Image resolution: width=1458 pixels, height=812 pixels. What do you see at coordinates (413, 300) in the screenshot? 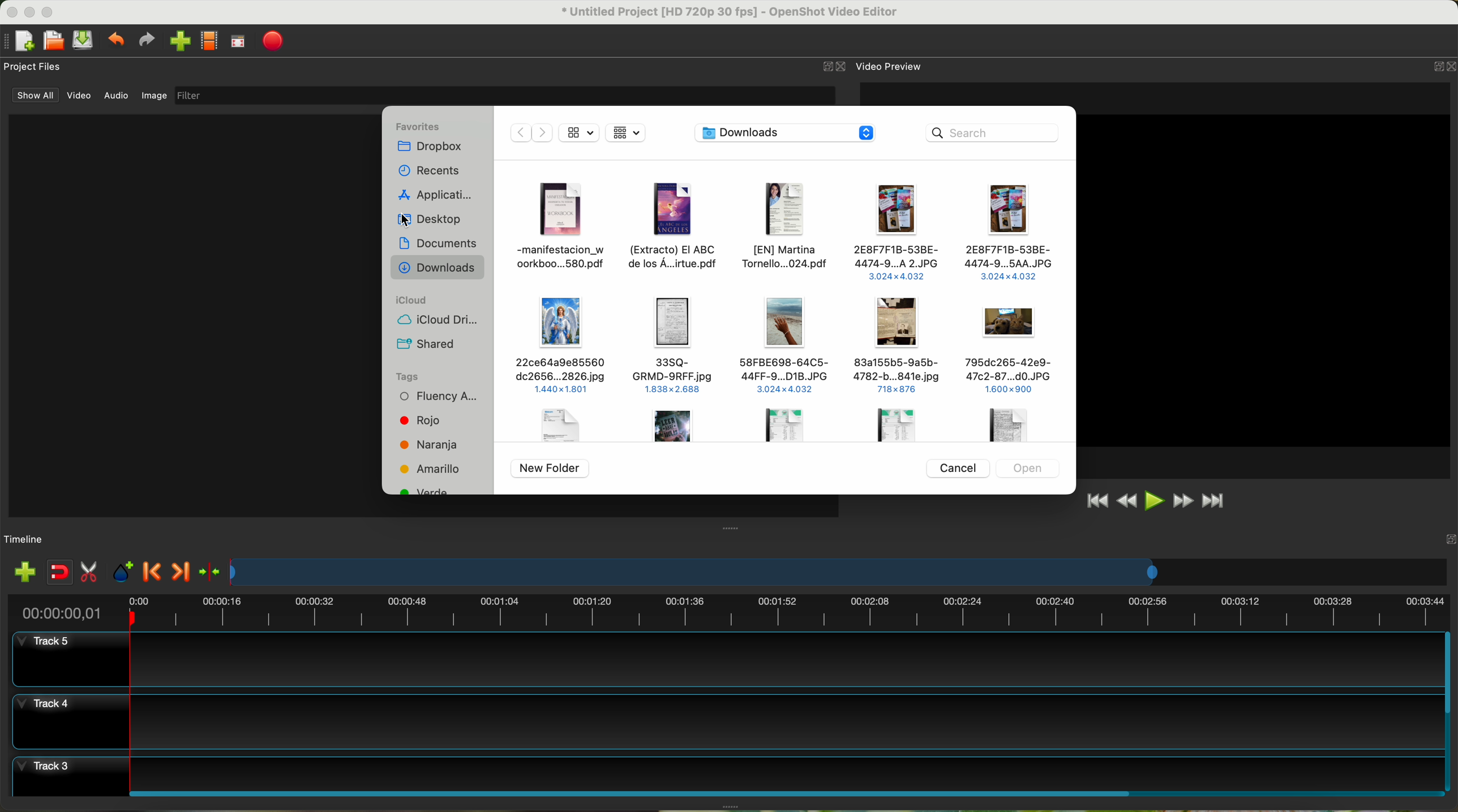
I see `icloud` at bounding box center [413, 300].